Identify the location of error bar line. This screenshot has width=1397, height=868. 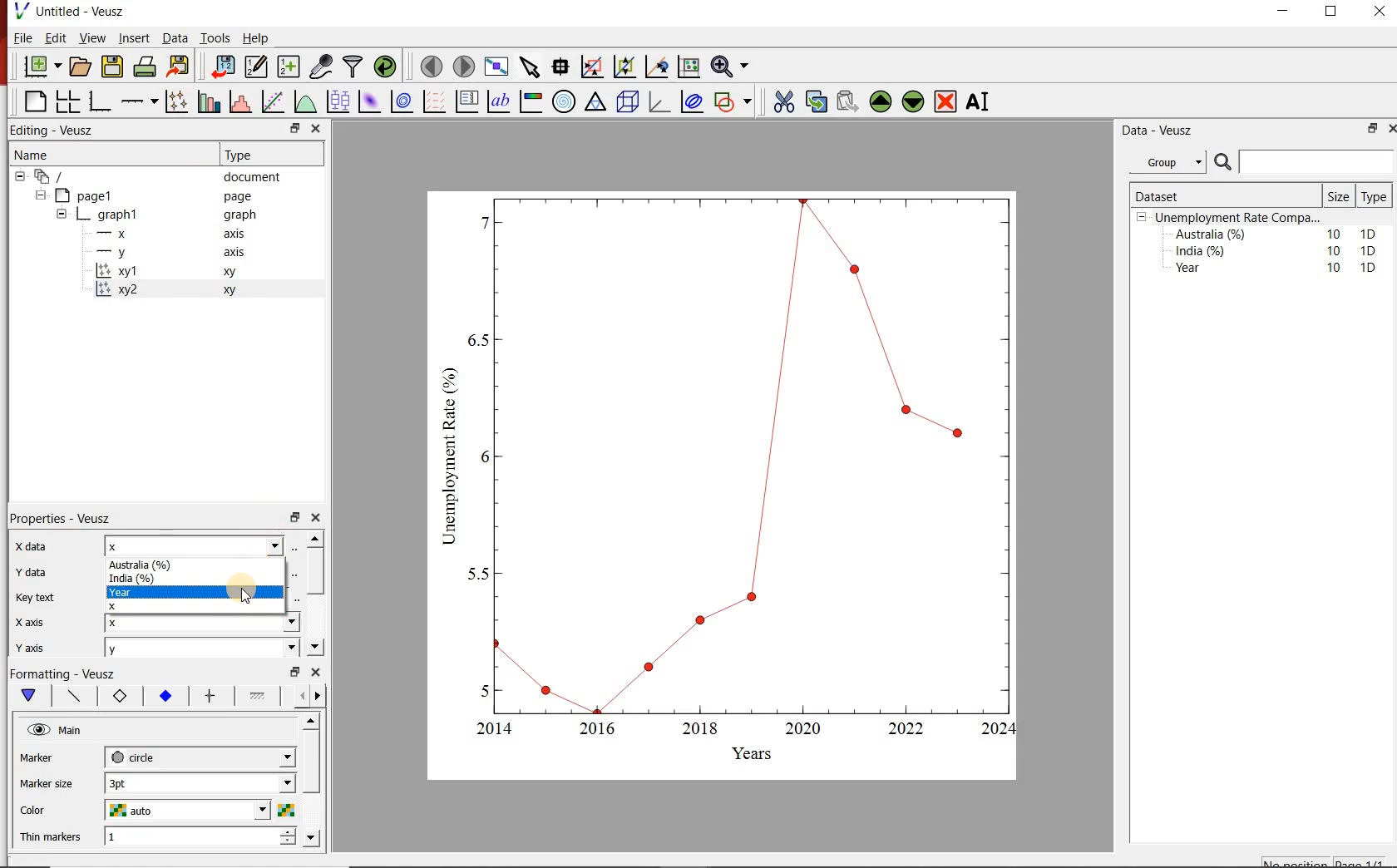
(211, 696).